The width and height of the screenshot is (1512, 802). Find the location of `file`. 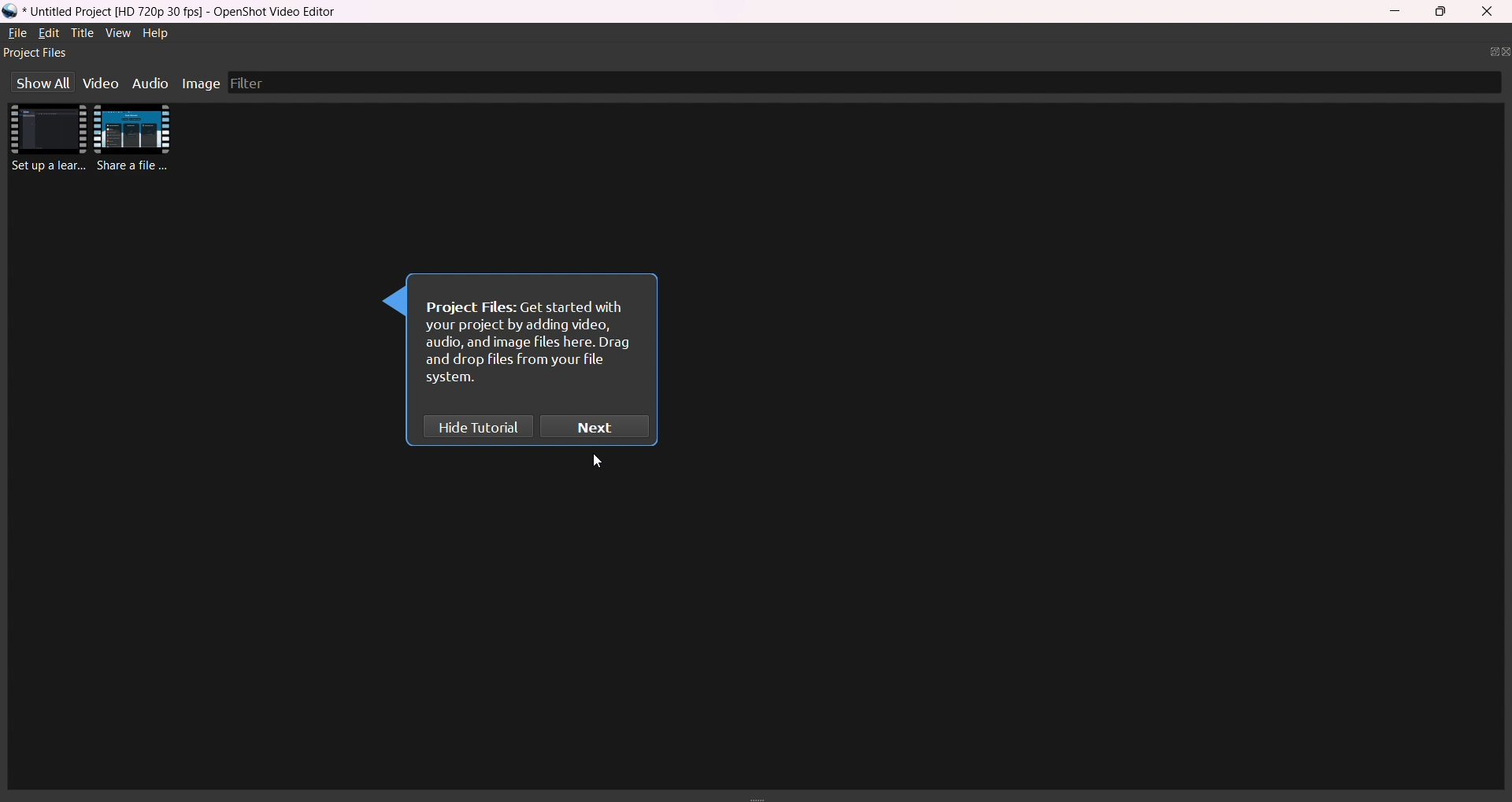

file is located at coordinates (15, 34).